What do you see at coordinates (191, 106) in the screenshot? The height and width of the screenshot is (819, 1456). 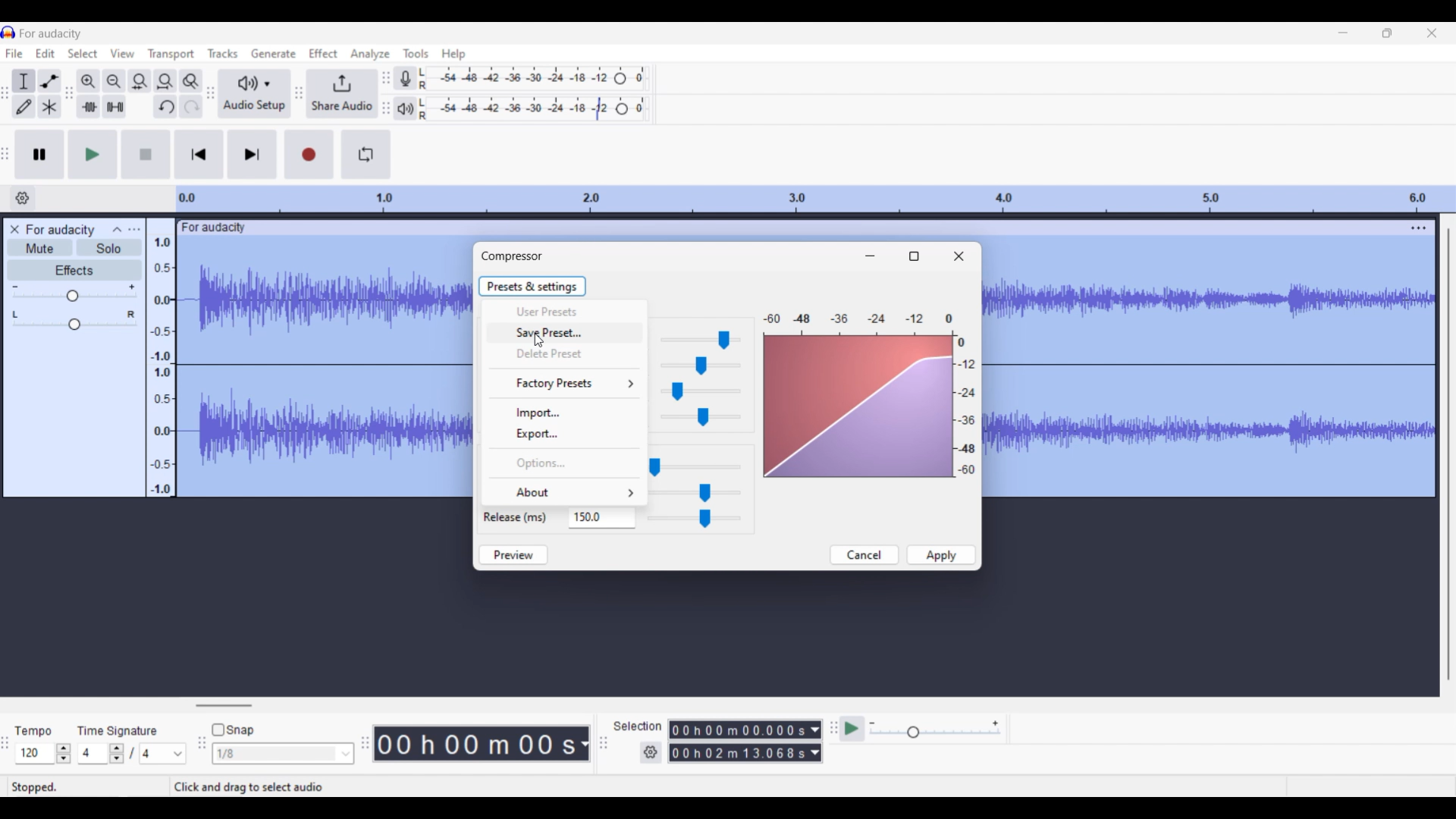 I see `Redo` at bounding box center [191, 106].